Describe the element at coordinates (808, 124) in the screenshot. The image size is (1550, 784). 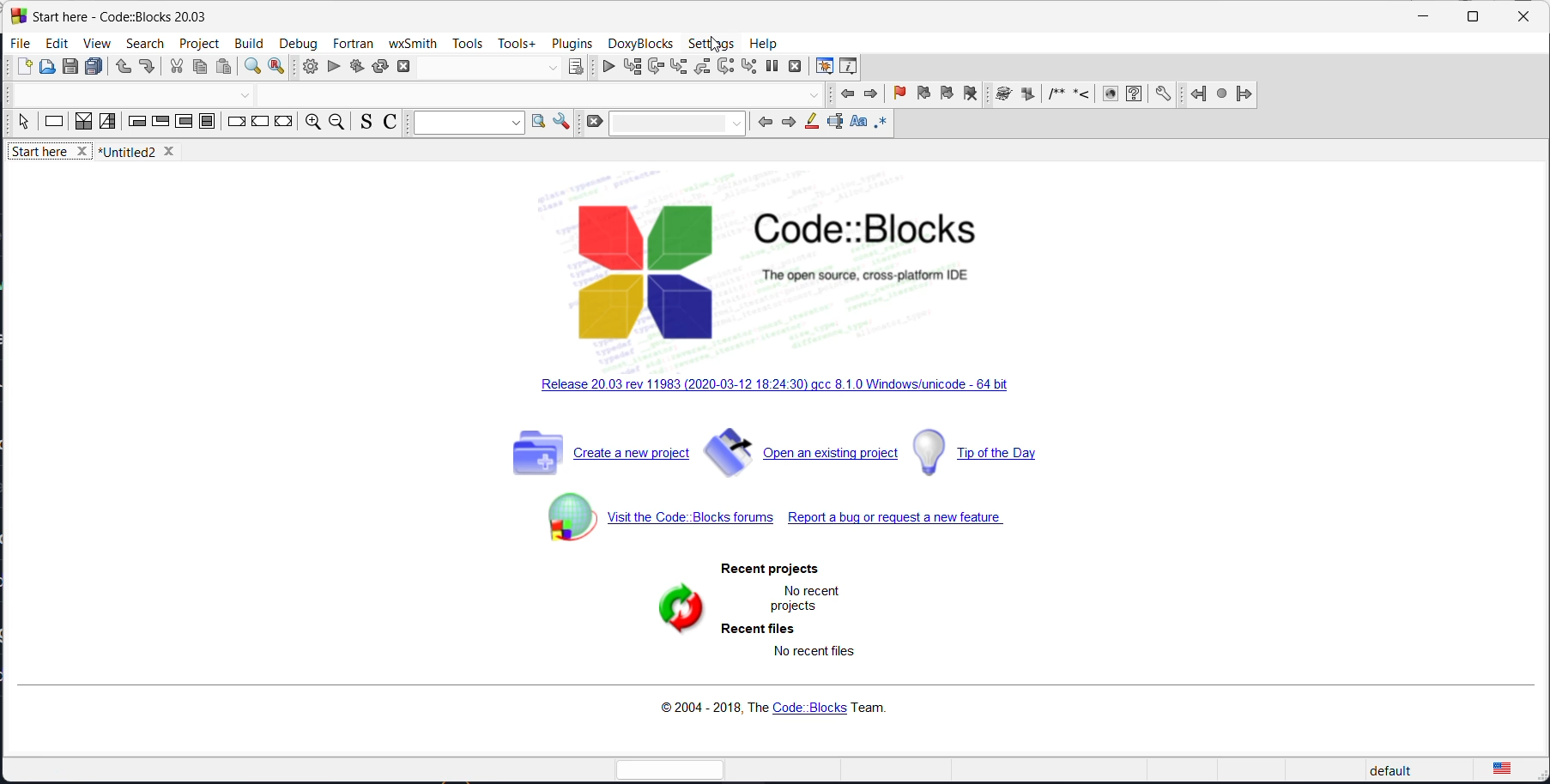
I see `highlight` at that location.